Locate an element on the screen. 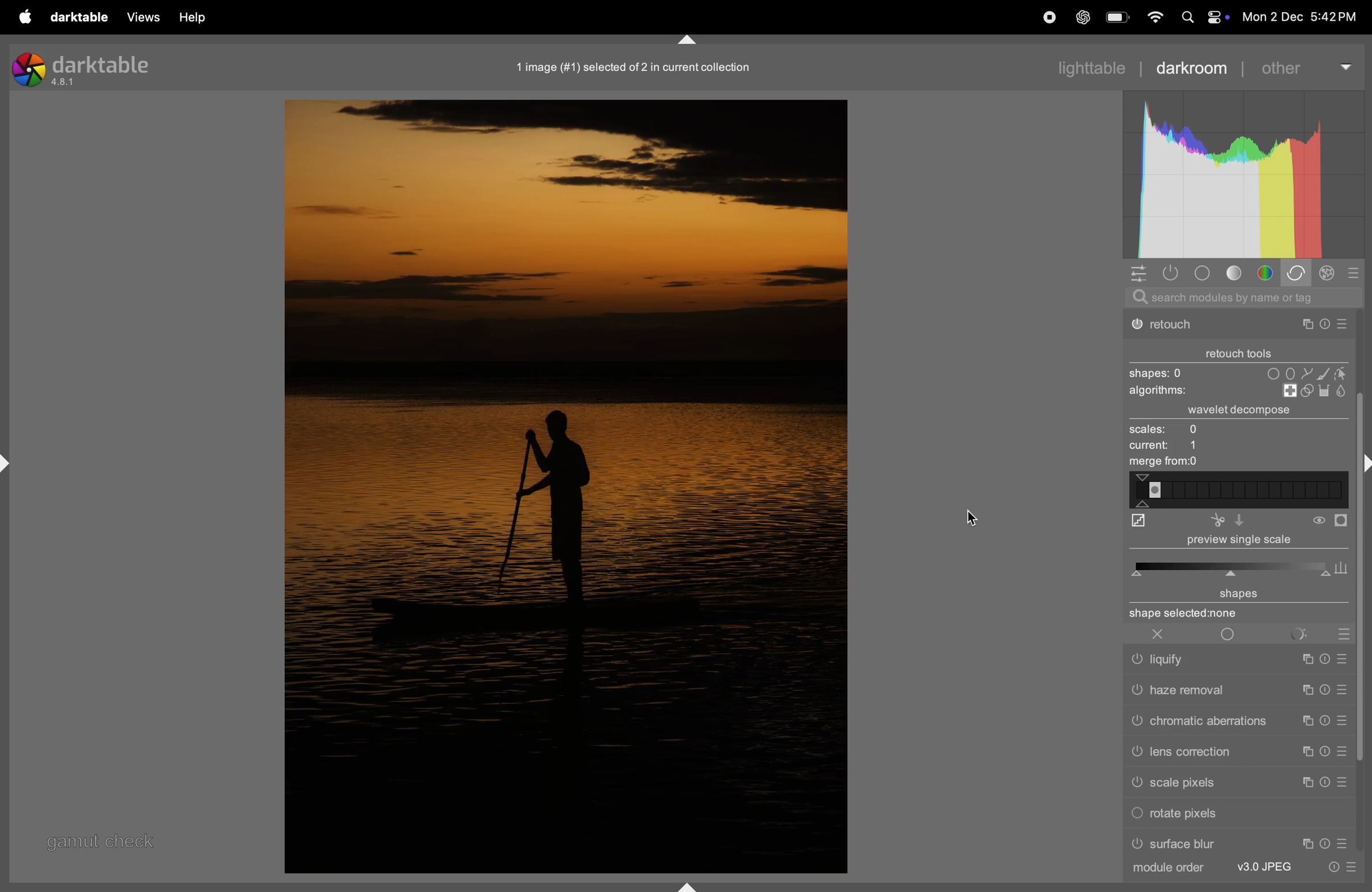 This screenshot has width=1372, height=892. cursor is located at coordinates (969, 516).